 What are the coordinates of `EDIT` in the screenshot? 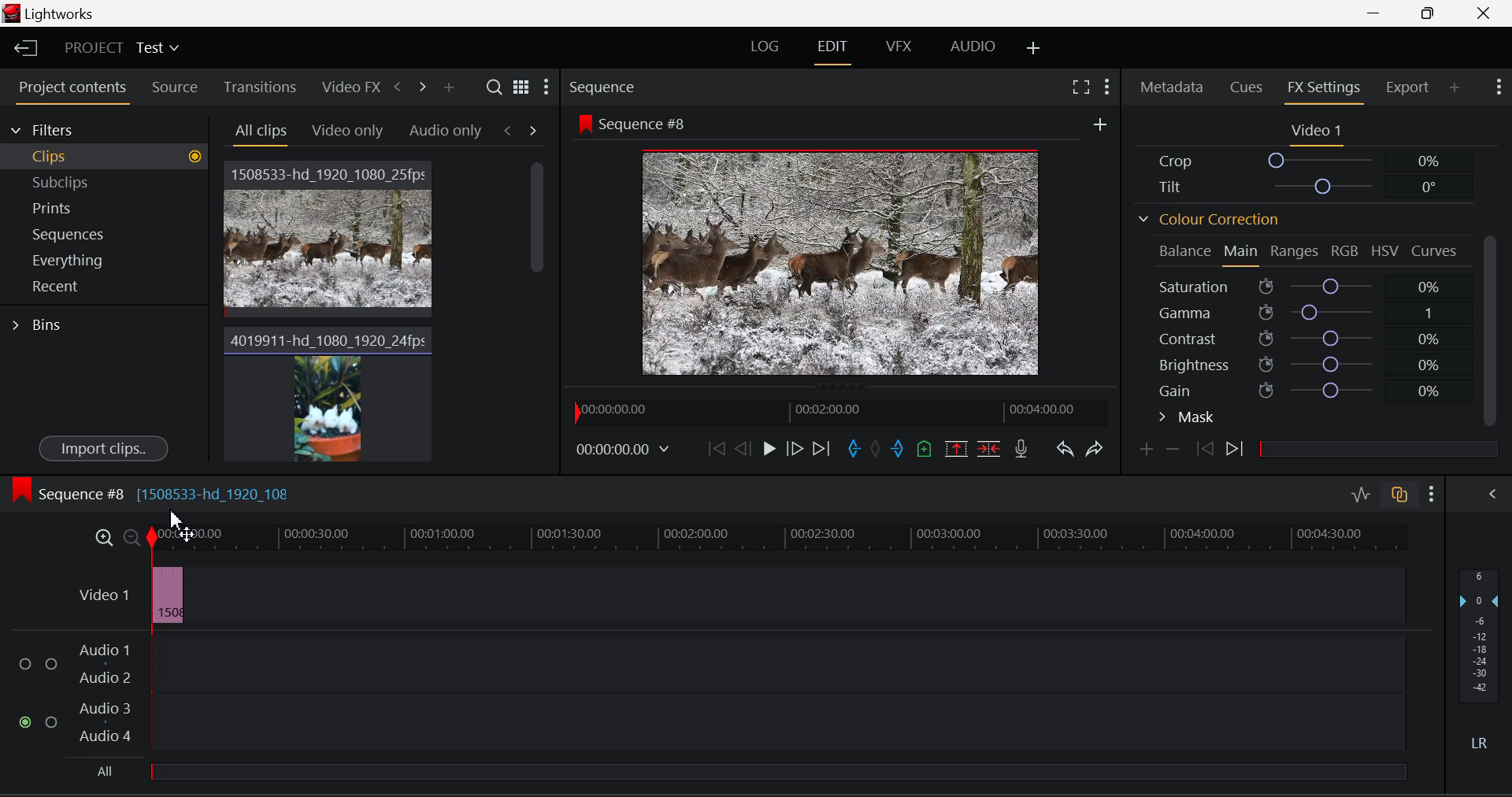 It's located at (836, 50).